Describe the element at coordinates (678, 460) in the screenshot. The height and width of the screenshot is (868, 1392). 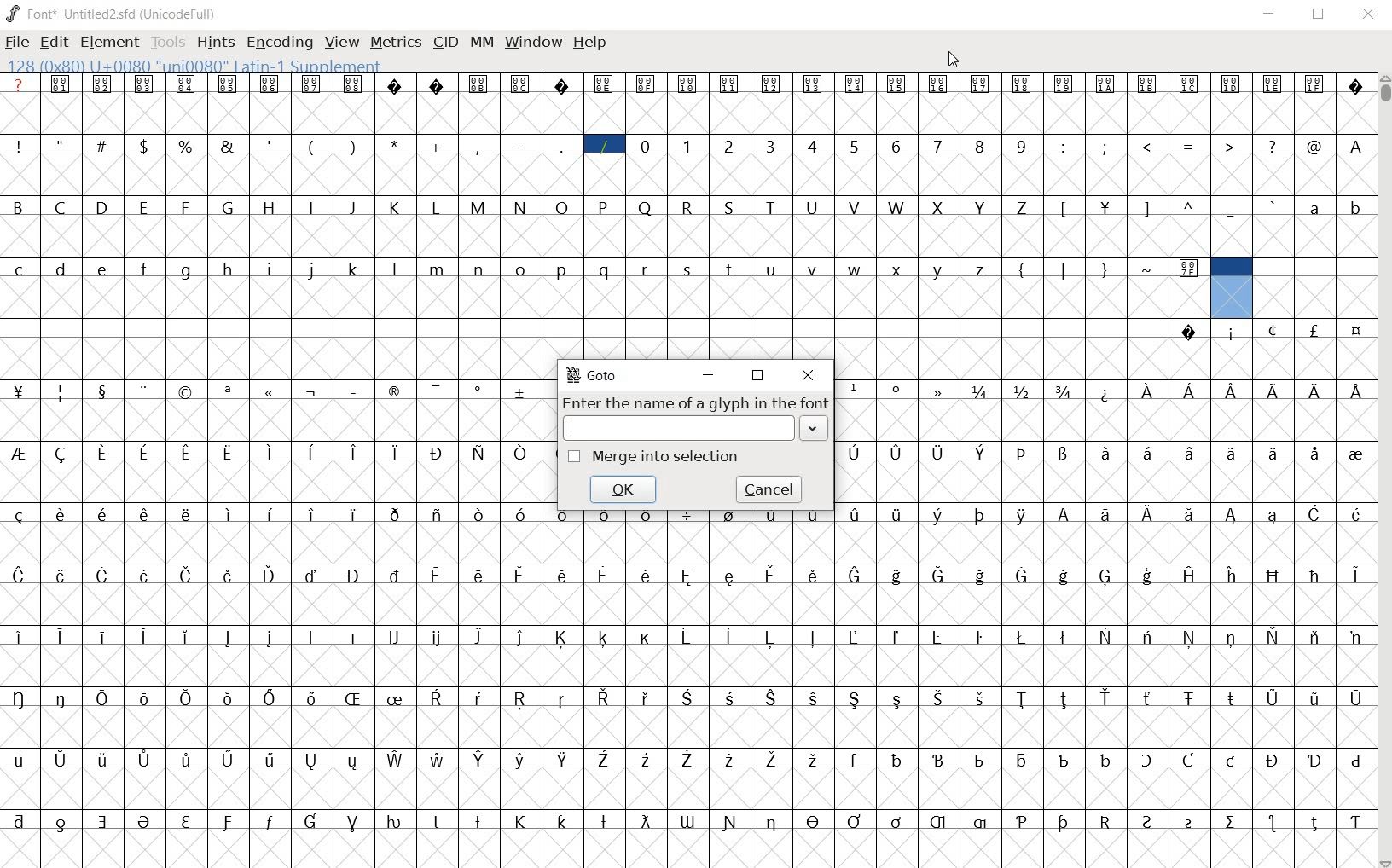
I see `Merge into selection` at that location.